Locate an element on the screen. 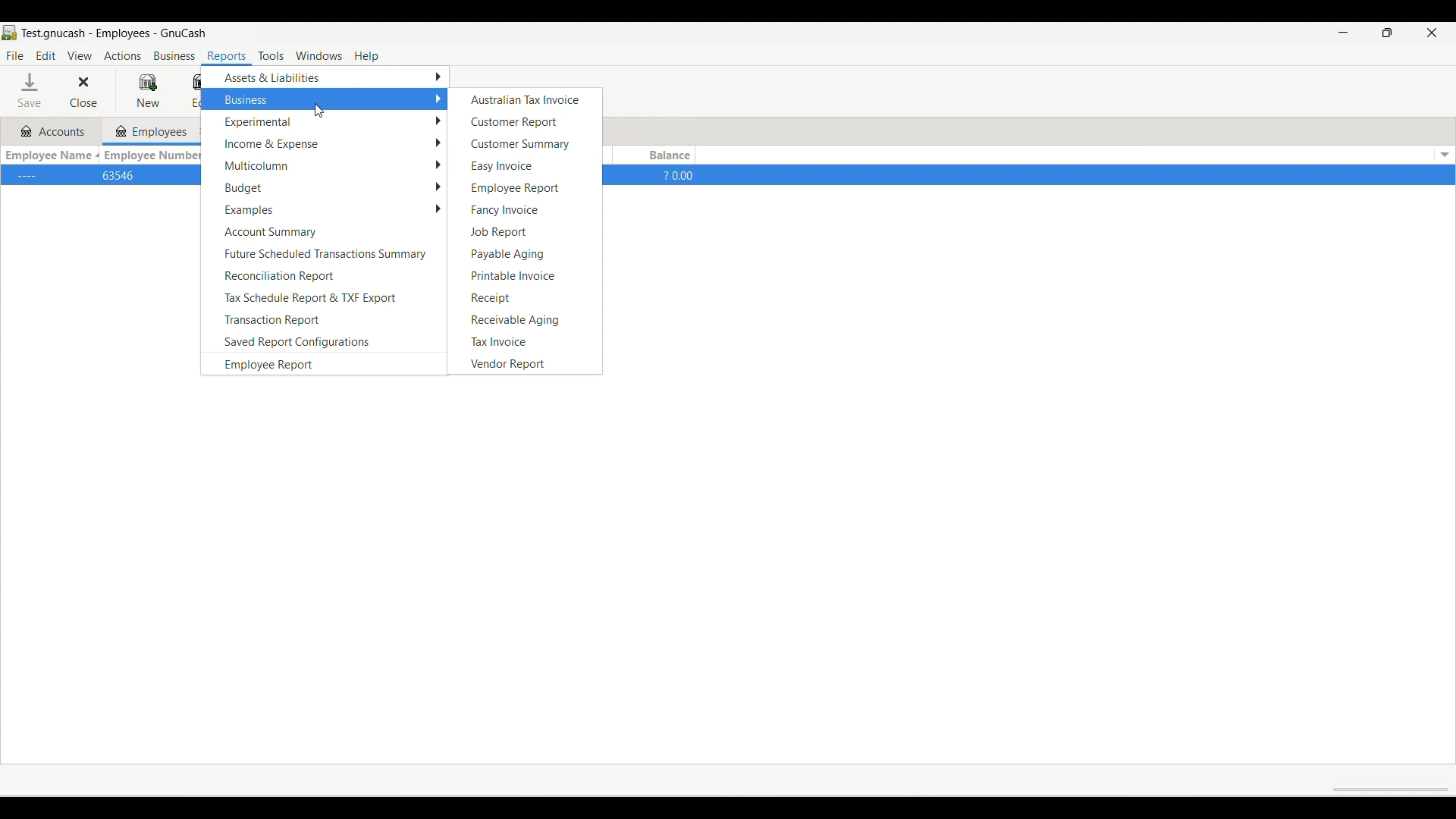 The width and height of the screenshot is (1456, 819). Experimental options is located at coordinates (325, 121).